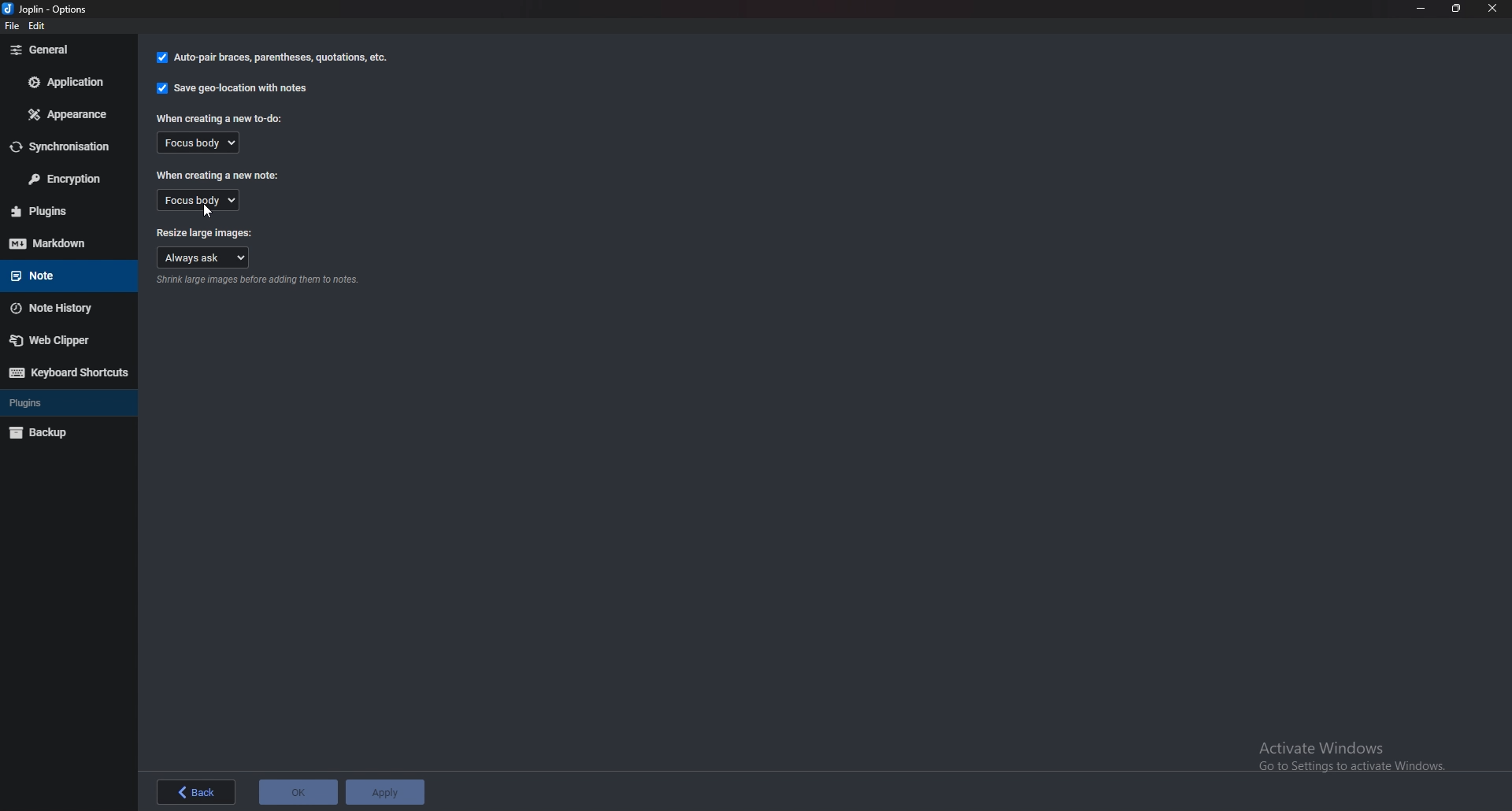  I want to click on Minimize, so click(1421, 9).